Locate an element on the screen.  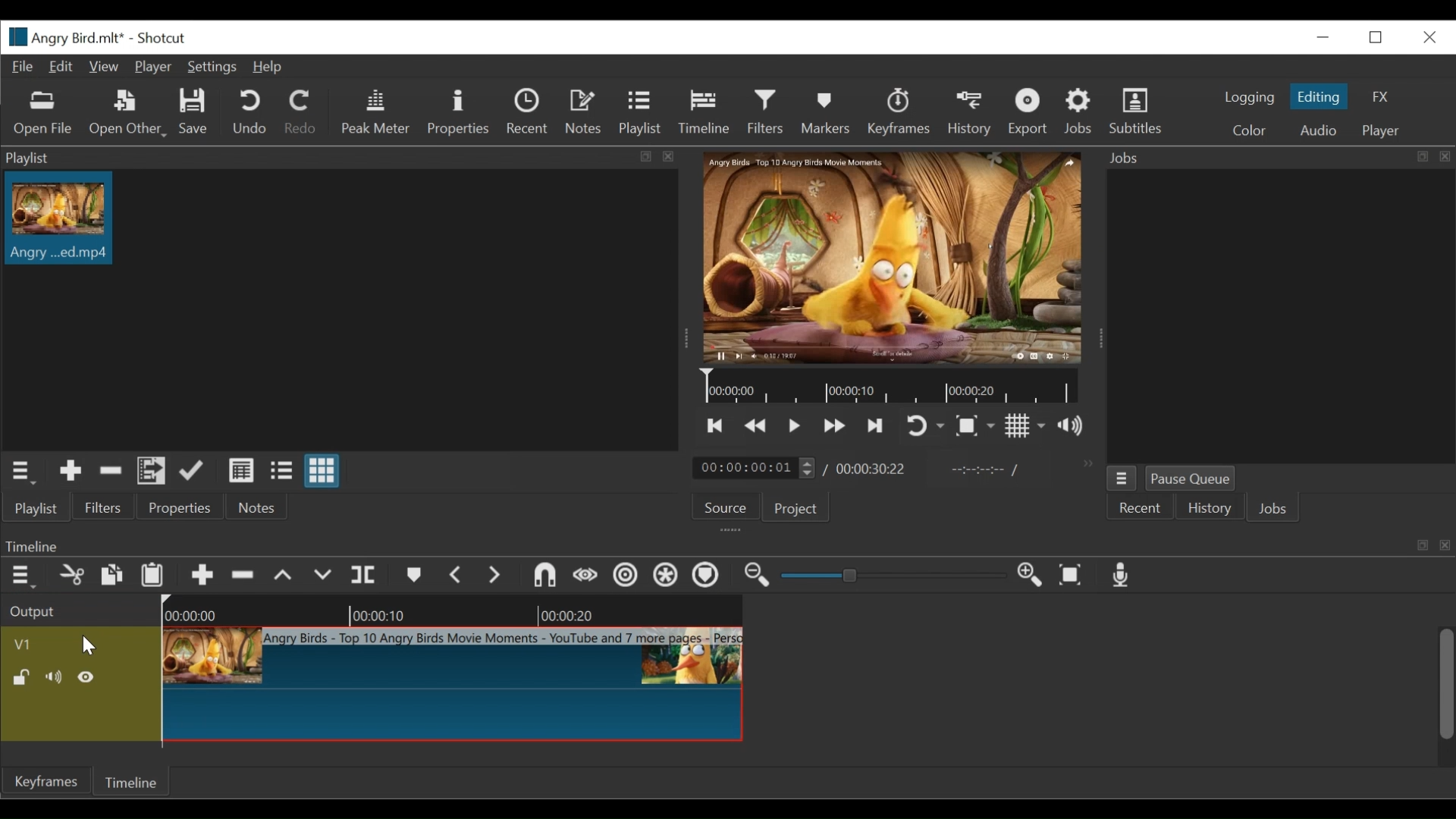
Overwrite is located at coordinates (324, 577).